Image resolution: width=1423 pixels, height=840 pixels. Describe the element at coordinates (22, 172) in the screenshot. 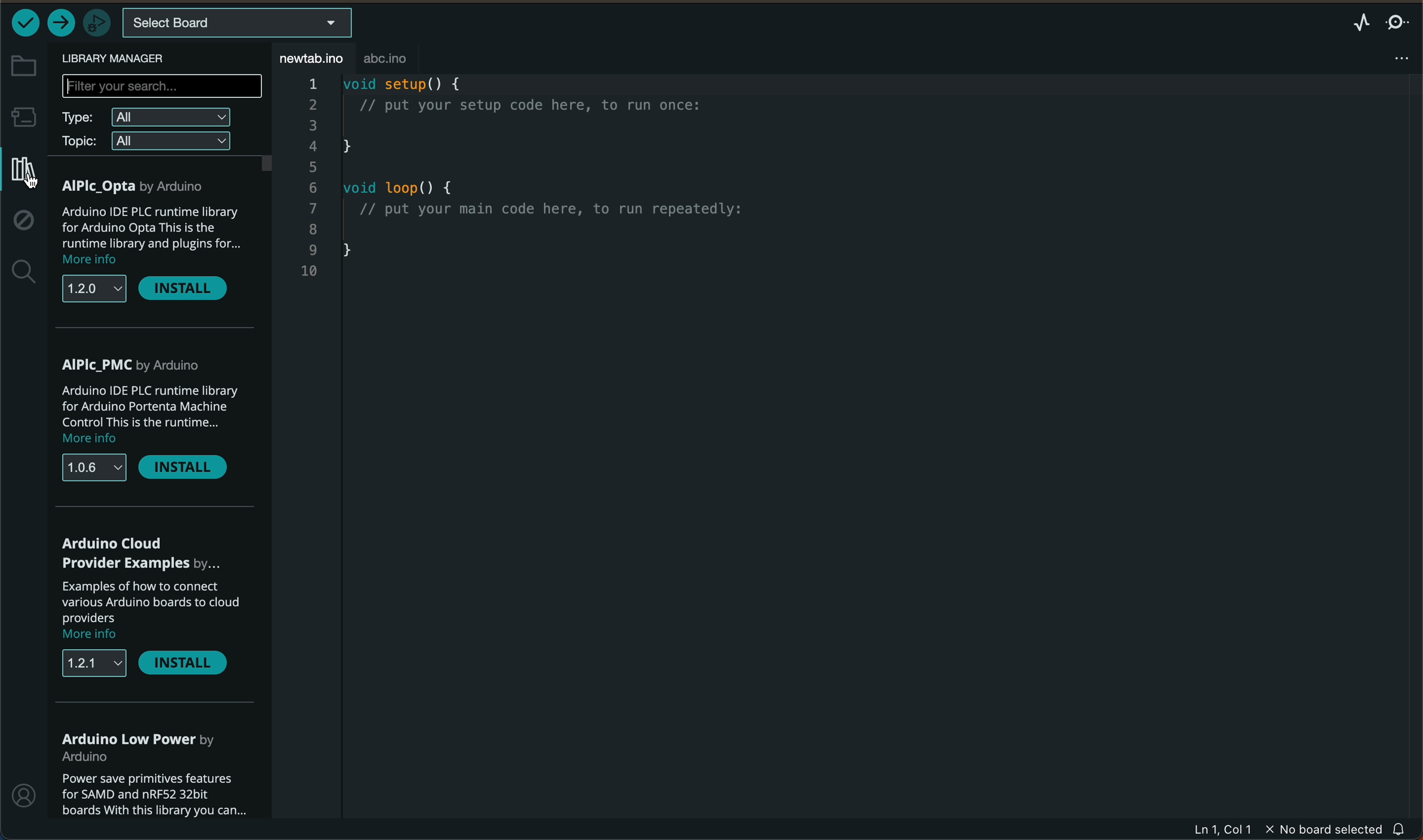

I see `library manager` at that location.